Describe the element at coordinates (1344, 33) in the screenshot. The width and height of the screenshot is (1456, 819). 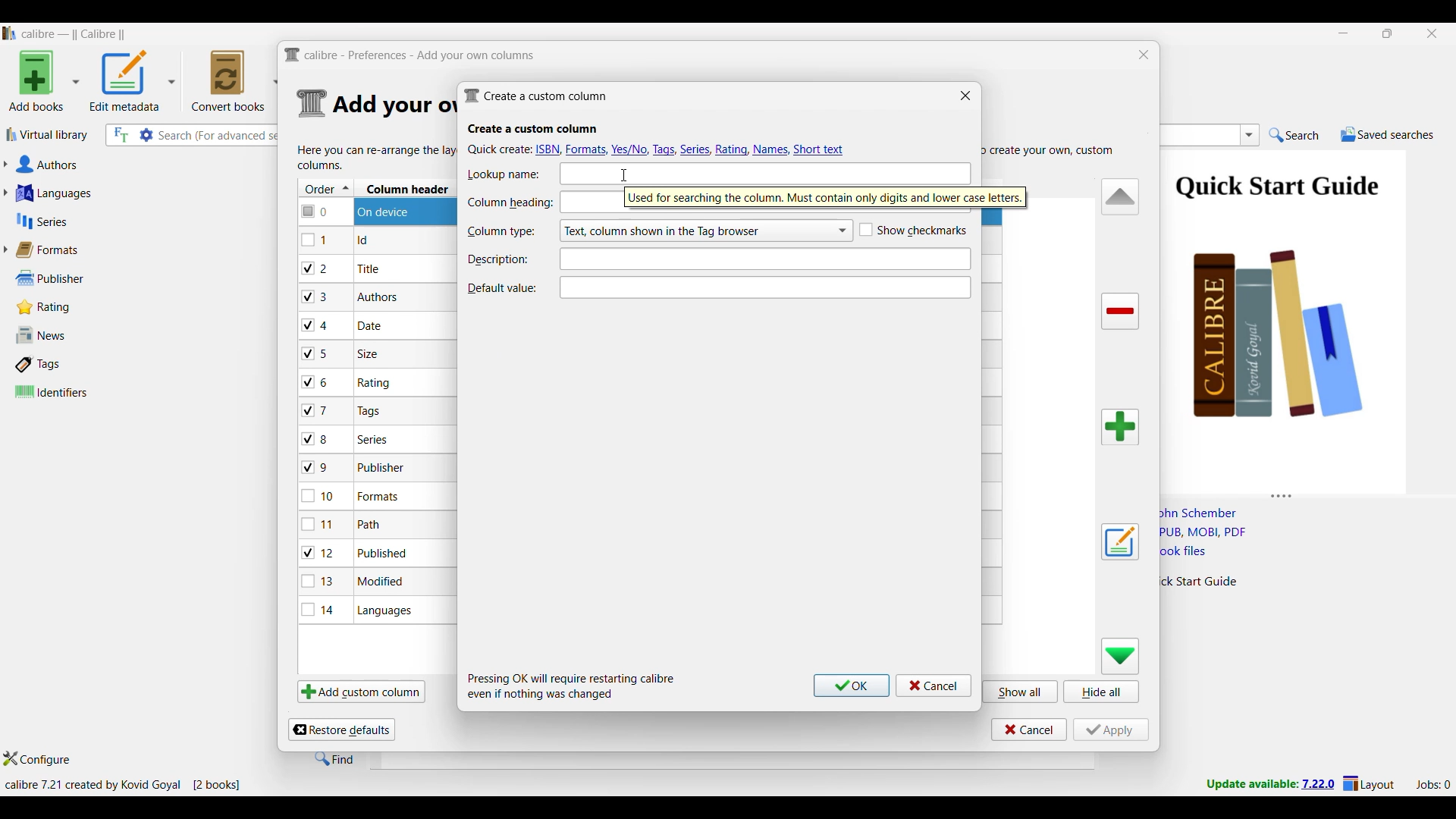
I see `Minimize` at that location.